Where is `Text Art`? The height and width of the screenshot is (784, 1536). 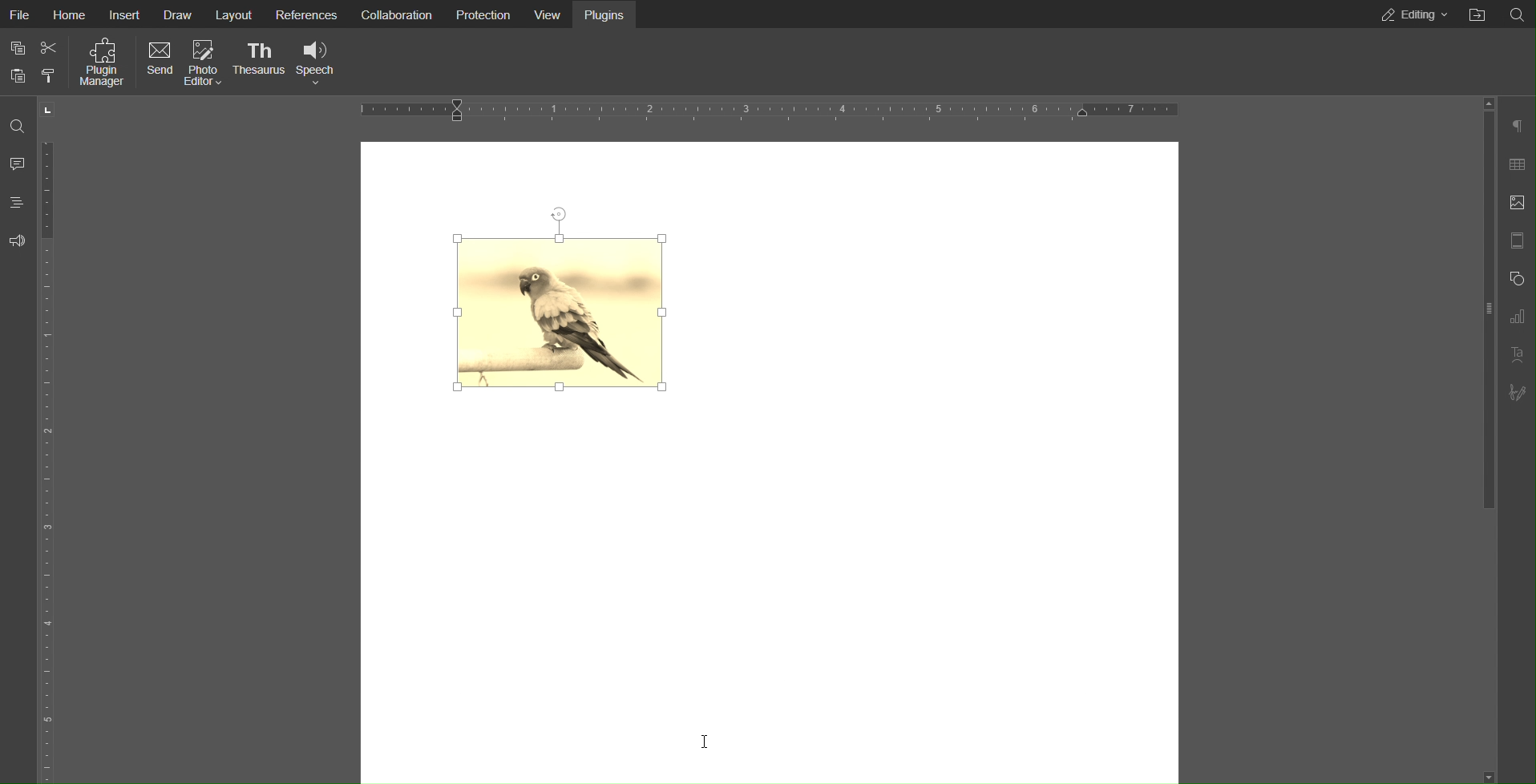 Text Art is located at coordinates (1518, 355).